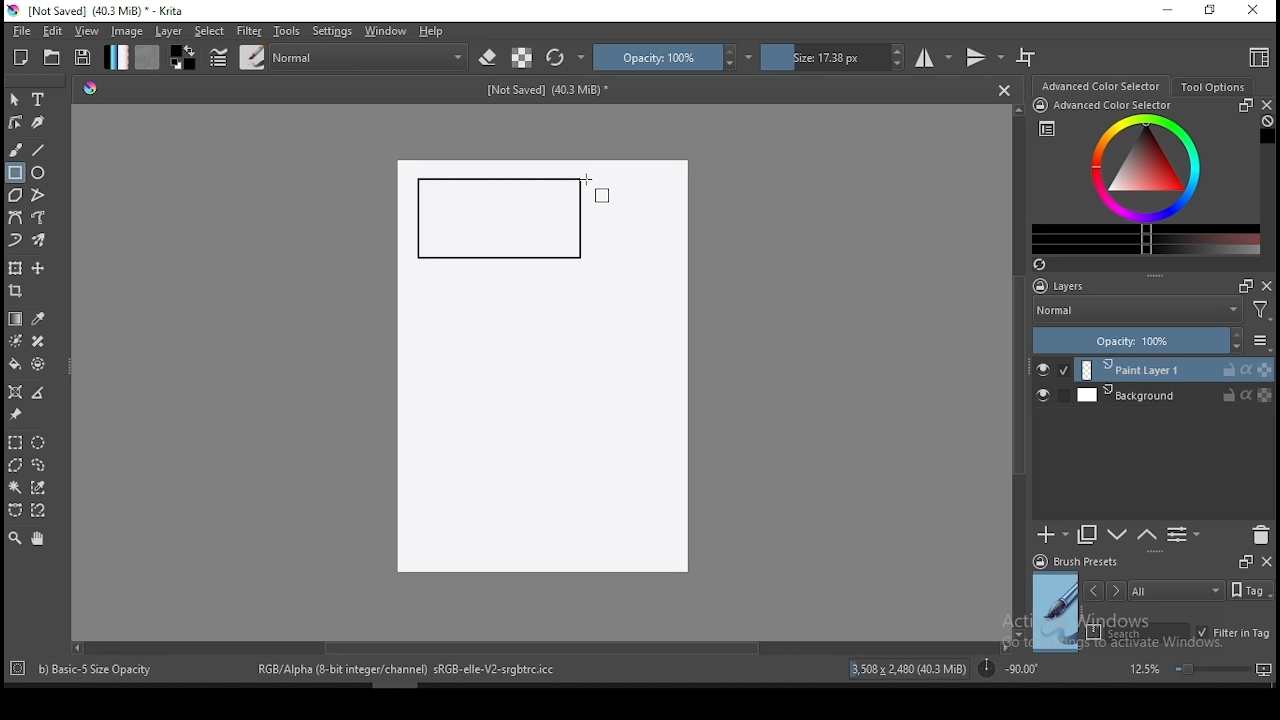 The image size is (1280, 720). I want to click on advance color selector, so click(1103, 85).